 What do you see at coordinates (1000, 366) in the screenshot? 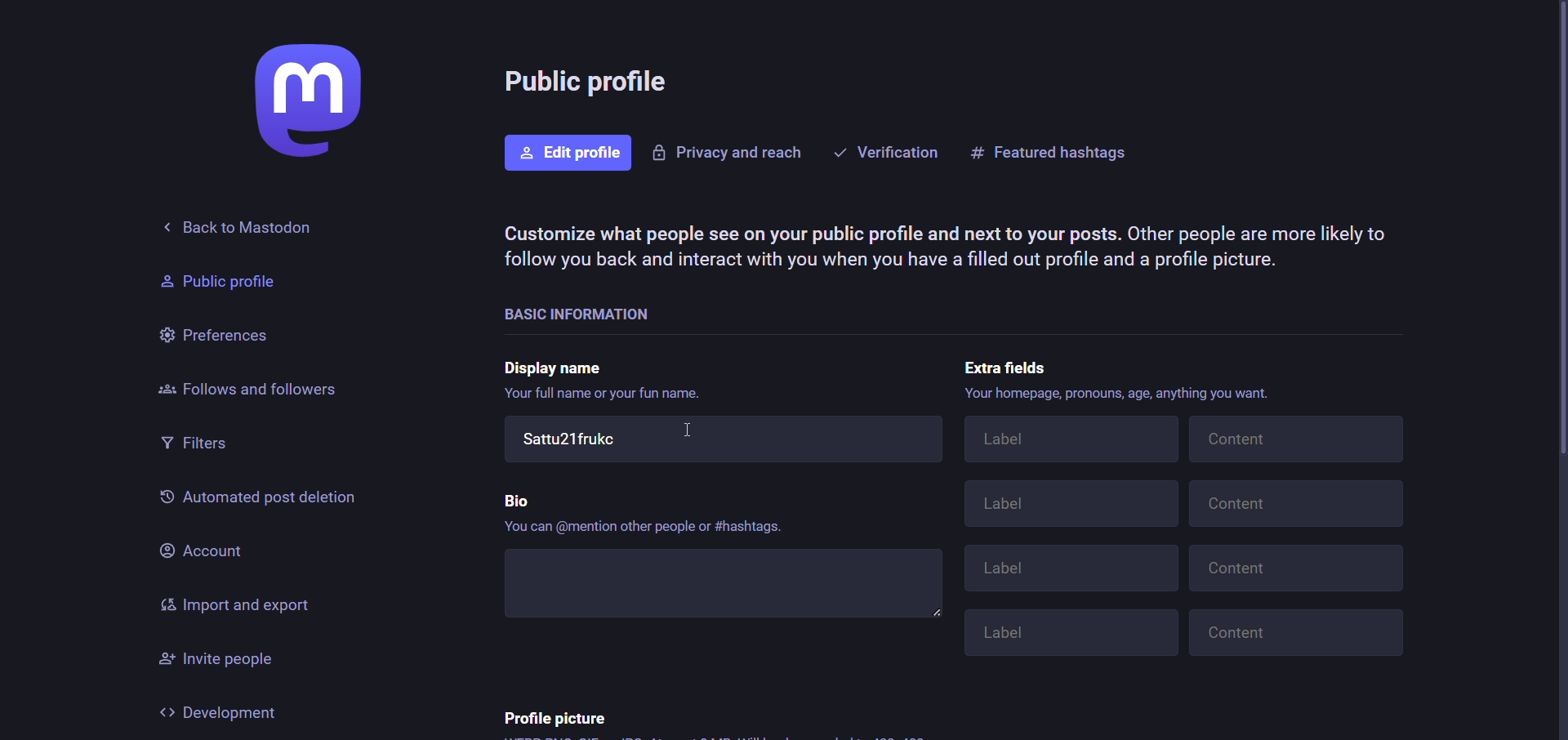
I see `extra fields` at bounding box center [1000, 366].